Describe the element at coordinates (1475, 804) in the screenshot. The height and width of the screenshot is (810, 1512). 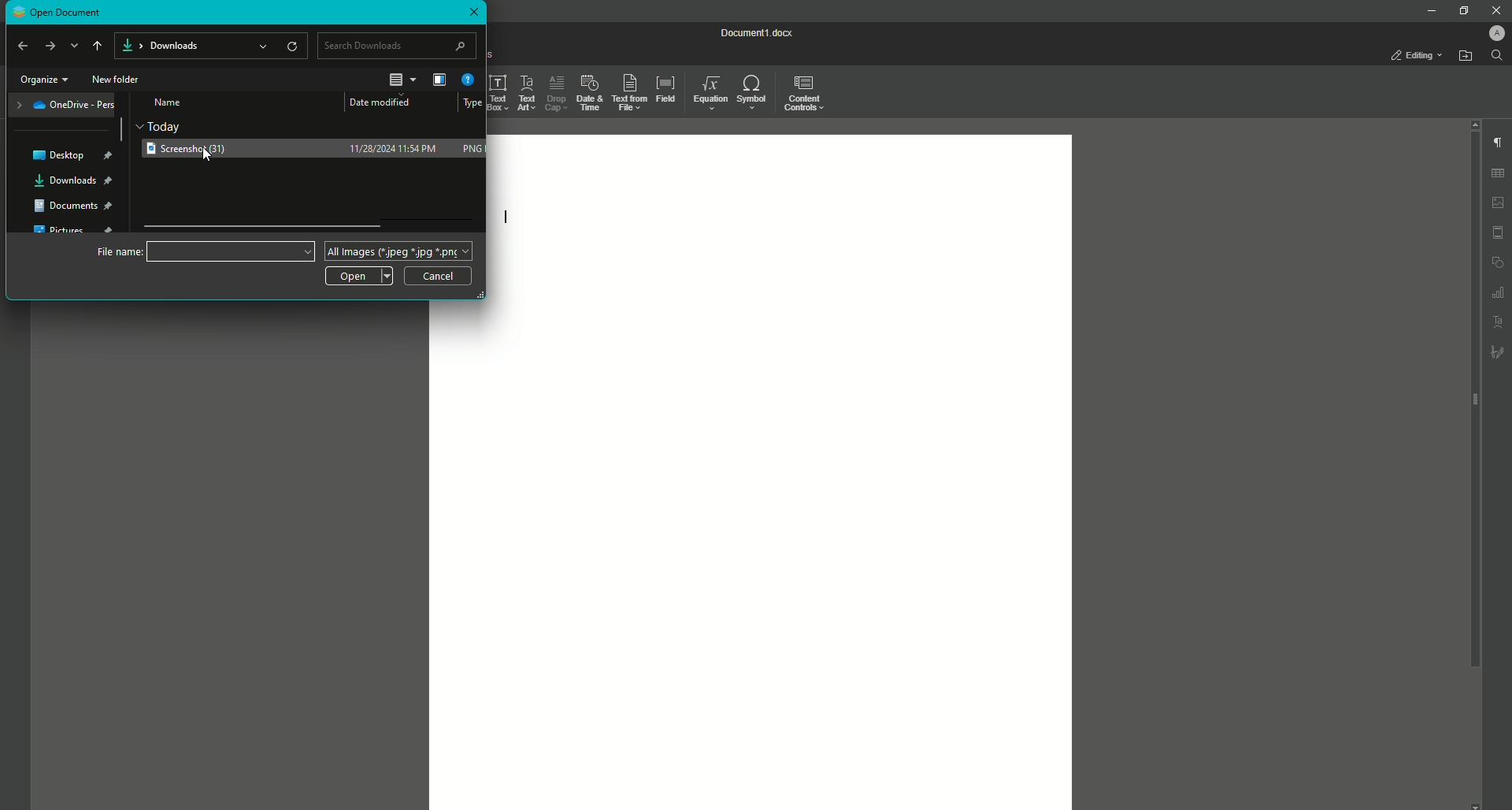
I see `scroll down` at that location.